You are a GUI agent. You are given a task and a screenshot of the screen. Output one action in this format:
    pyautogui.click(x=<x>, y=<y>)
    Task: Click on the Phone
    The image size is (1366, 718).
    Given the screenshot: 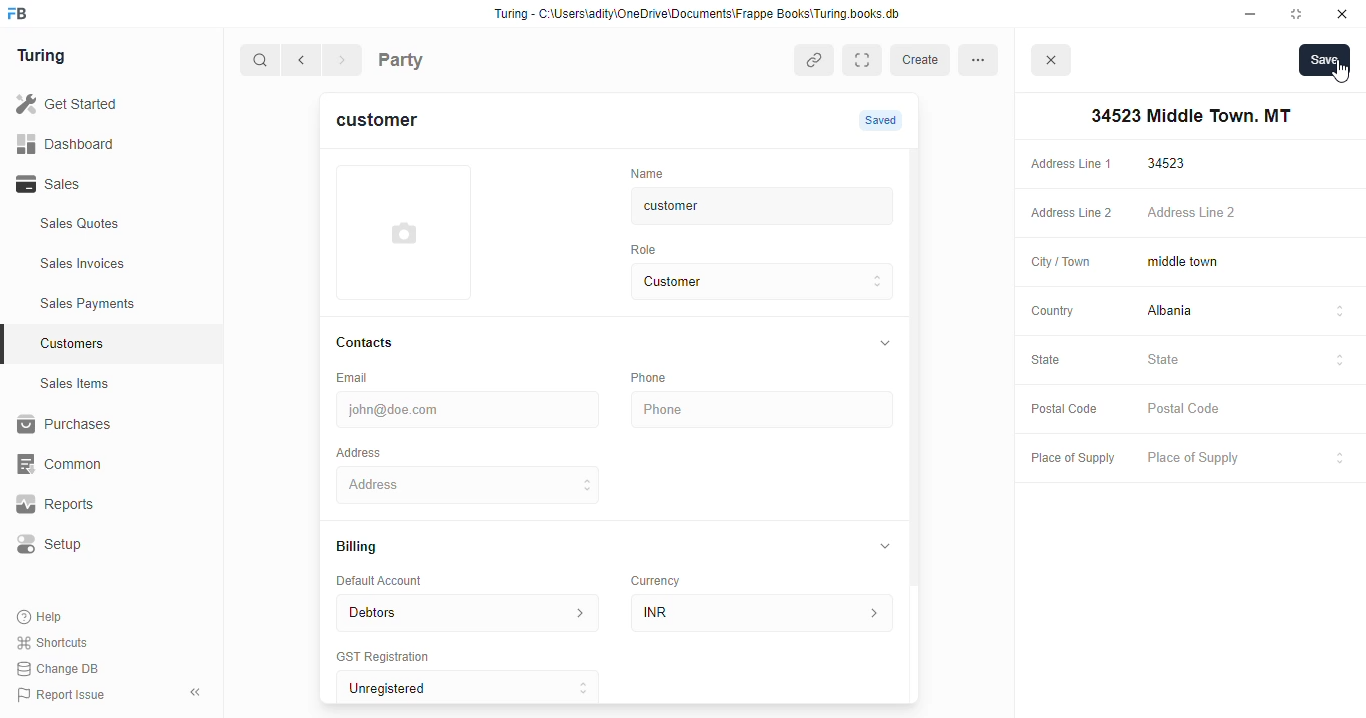 What is the action you would take?
    pyautogui.click(x=660, y=377)
    